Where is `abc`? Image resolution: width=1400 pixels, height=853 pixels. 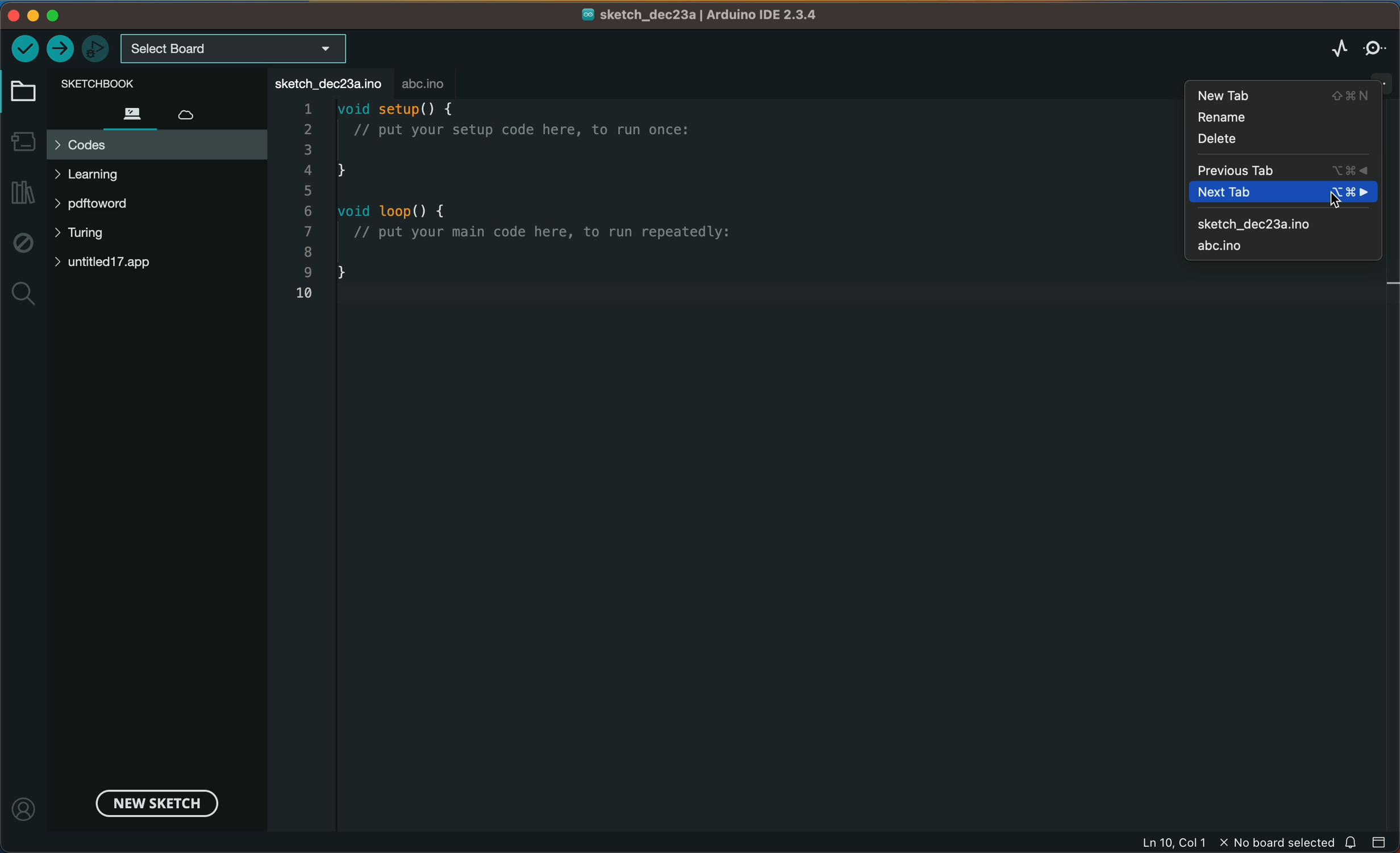 abc is located at coordinates (1288, 246).